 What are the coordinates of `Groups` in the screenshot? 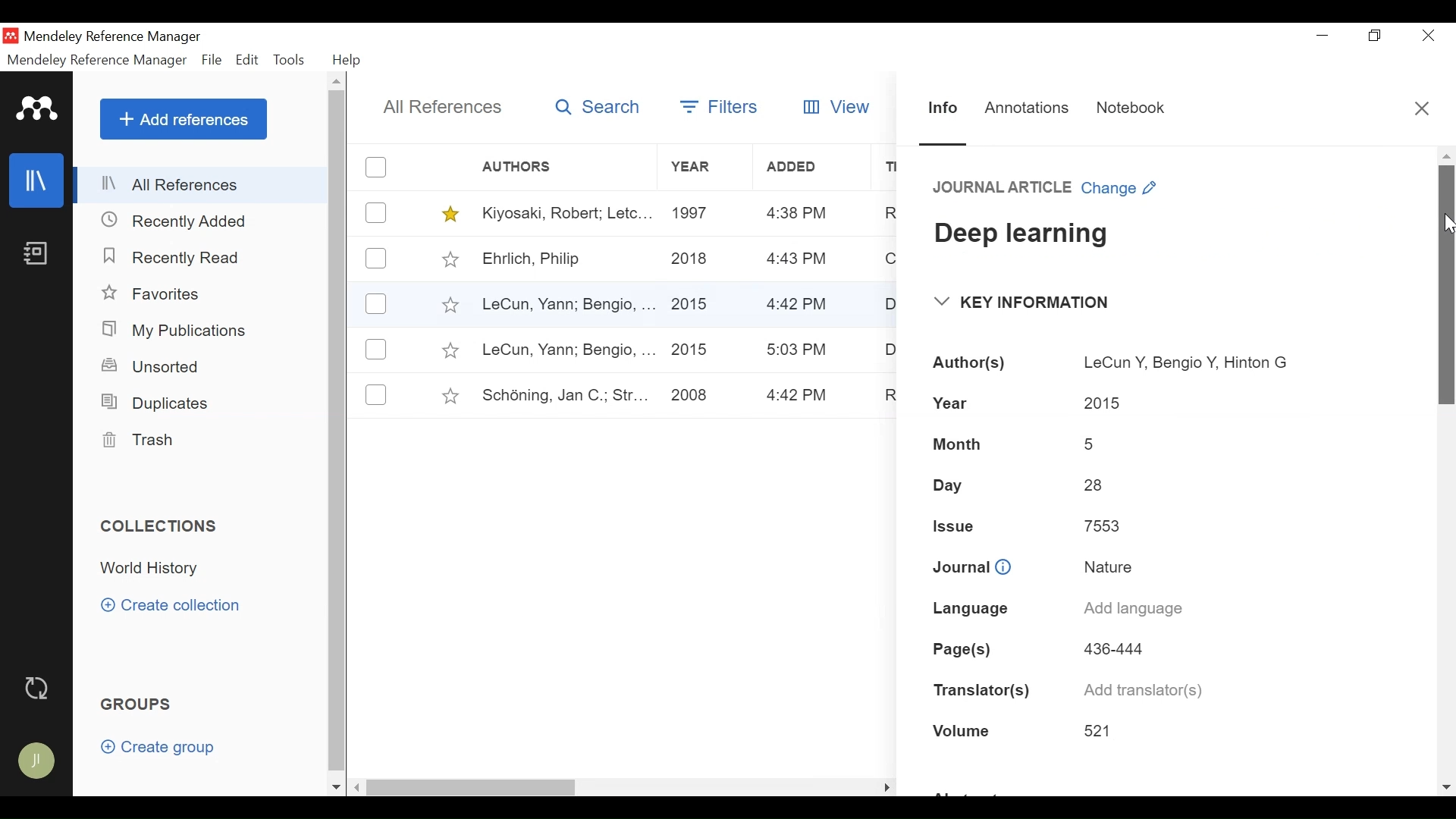 It's located at (140, 705).